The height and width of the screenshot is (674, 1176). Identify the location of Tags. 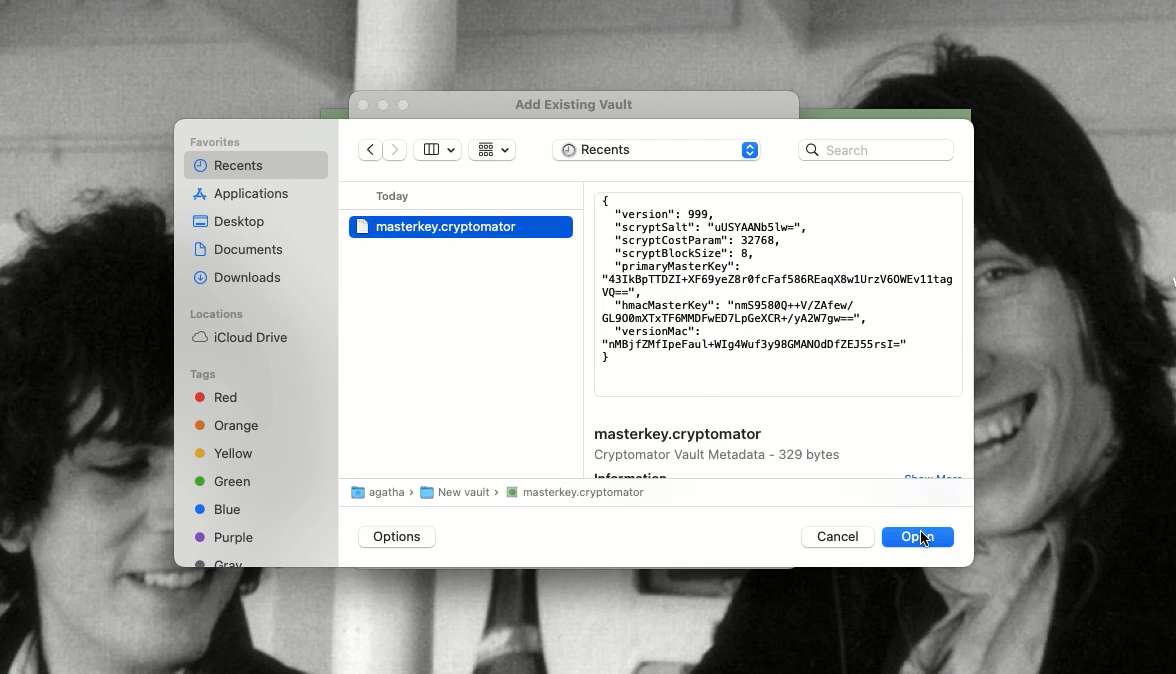
(204, 375).